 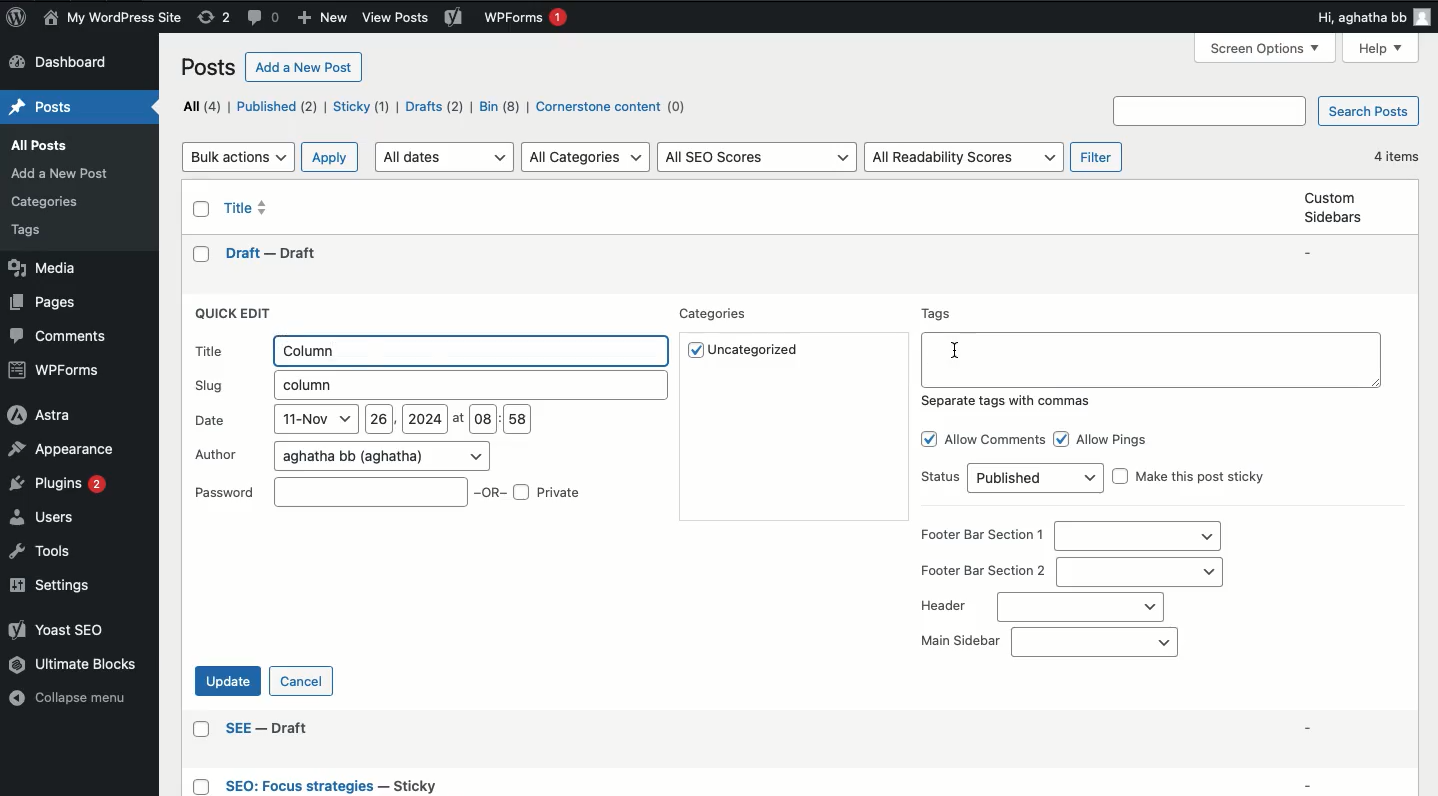 What do you see at coordinates (74, 702) in the screenshot?
I see `Collapse menu` at bounding box center [74, 702].